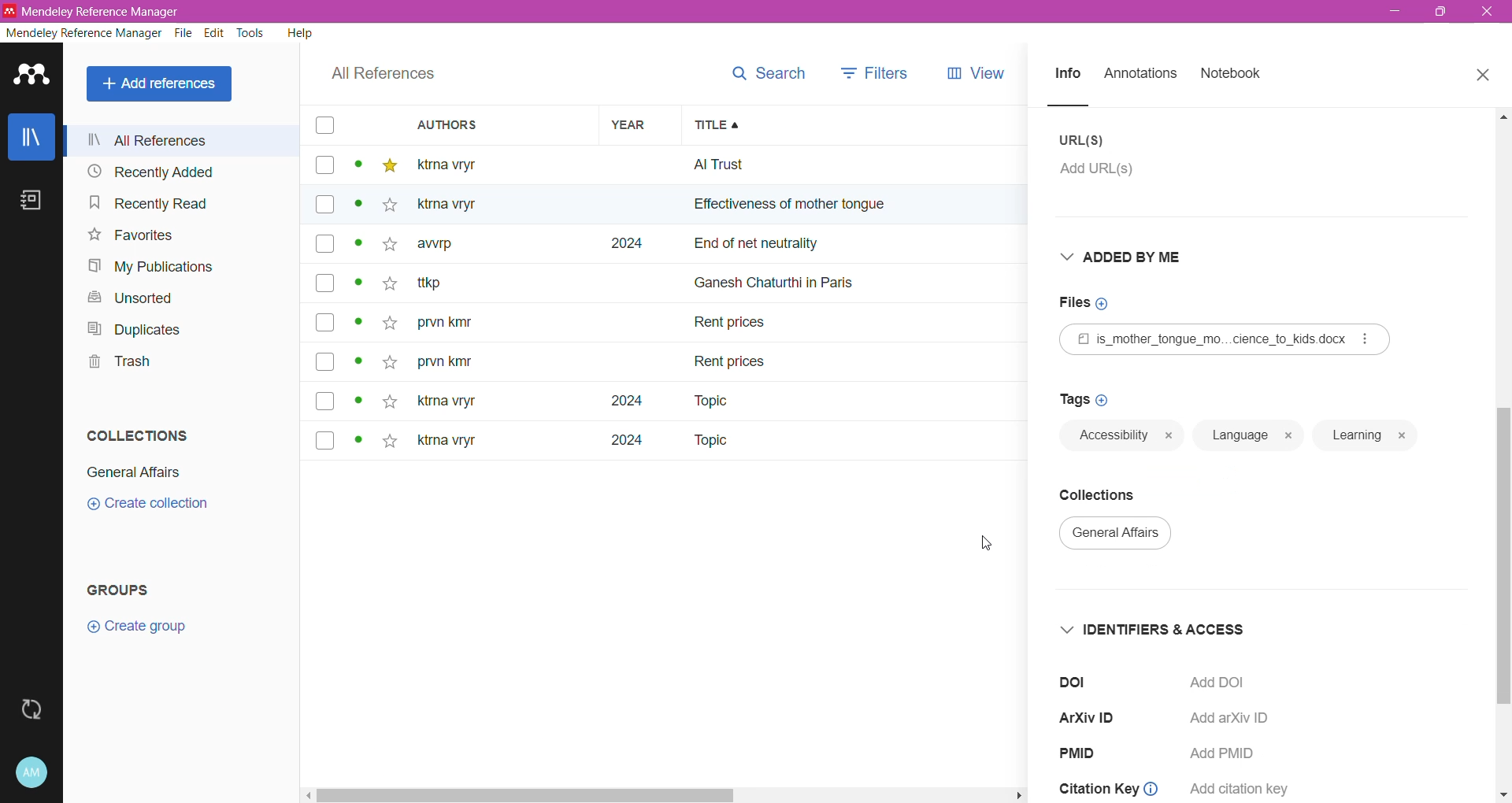 This screenshot has width=1512, height=803. What do you see at coordinates (1436, 17) in the screenshot?
I see `maximize` at bounding box center [1436, 17].